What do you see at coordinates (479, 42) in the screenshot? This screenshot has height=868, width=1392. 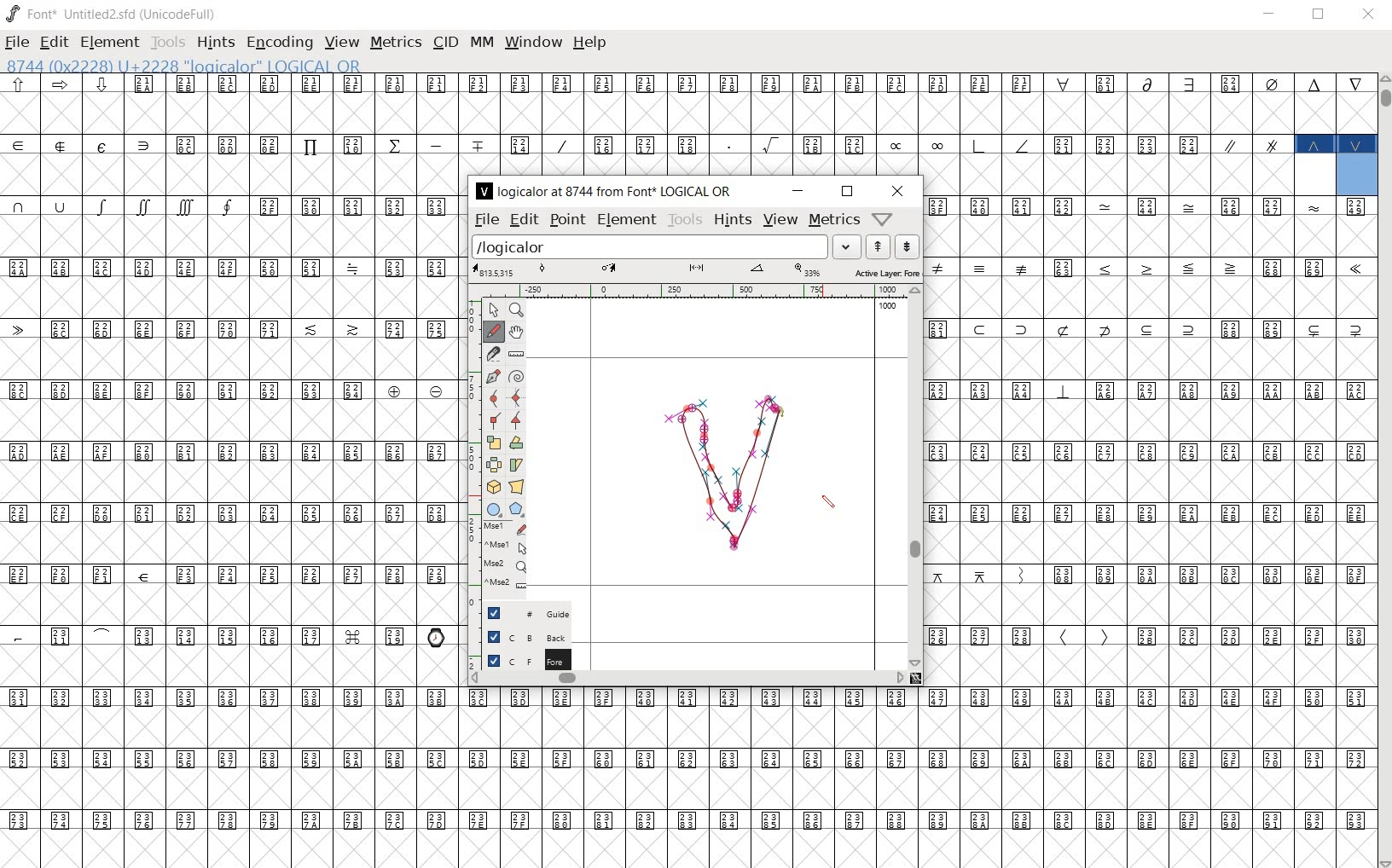 I see `mm` at bounding box center [479, 42].